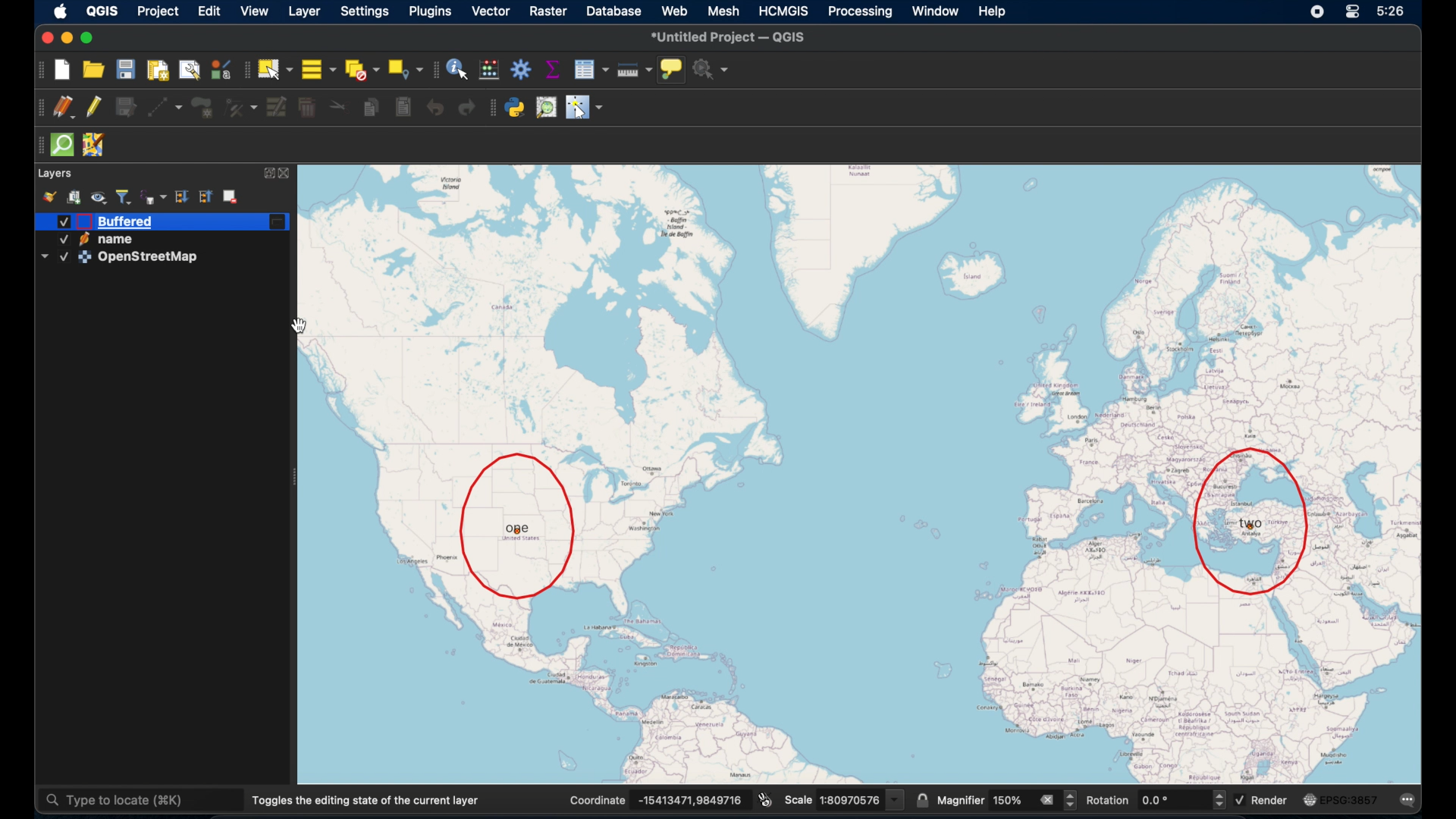 The height and width of the screenshot is (819, 1456). What do you see at coordinates (125, 105) in the screenshot?
I see `save layer edits` at bounding box center [125, 105].